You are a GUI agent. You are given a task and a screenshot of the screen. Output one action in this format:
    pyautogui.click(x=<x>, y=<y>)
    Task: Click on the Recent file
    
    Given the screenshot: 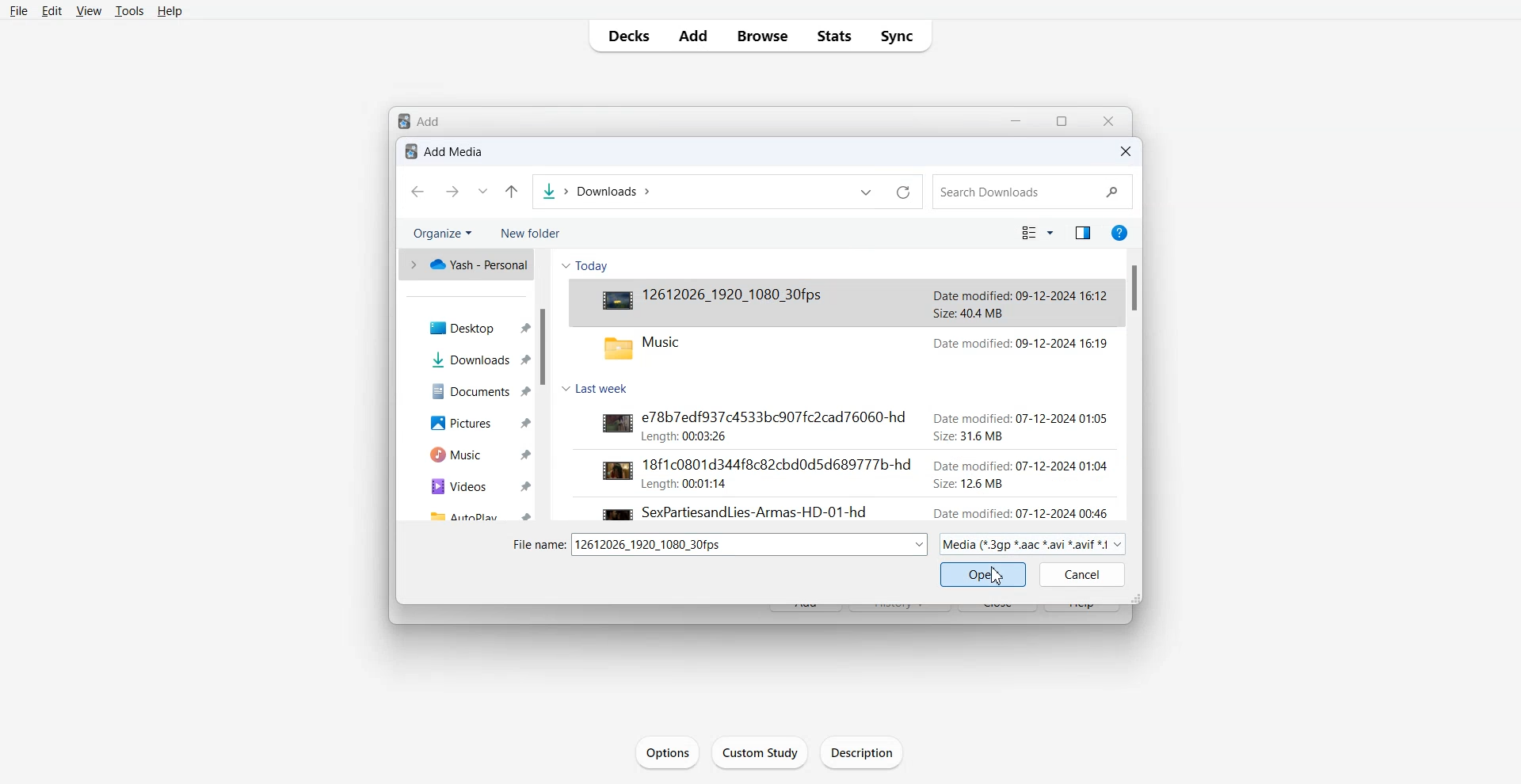 What is the action you would take?
    pyautogui.click(x=482, y=192)
    